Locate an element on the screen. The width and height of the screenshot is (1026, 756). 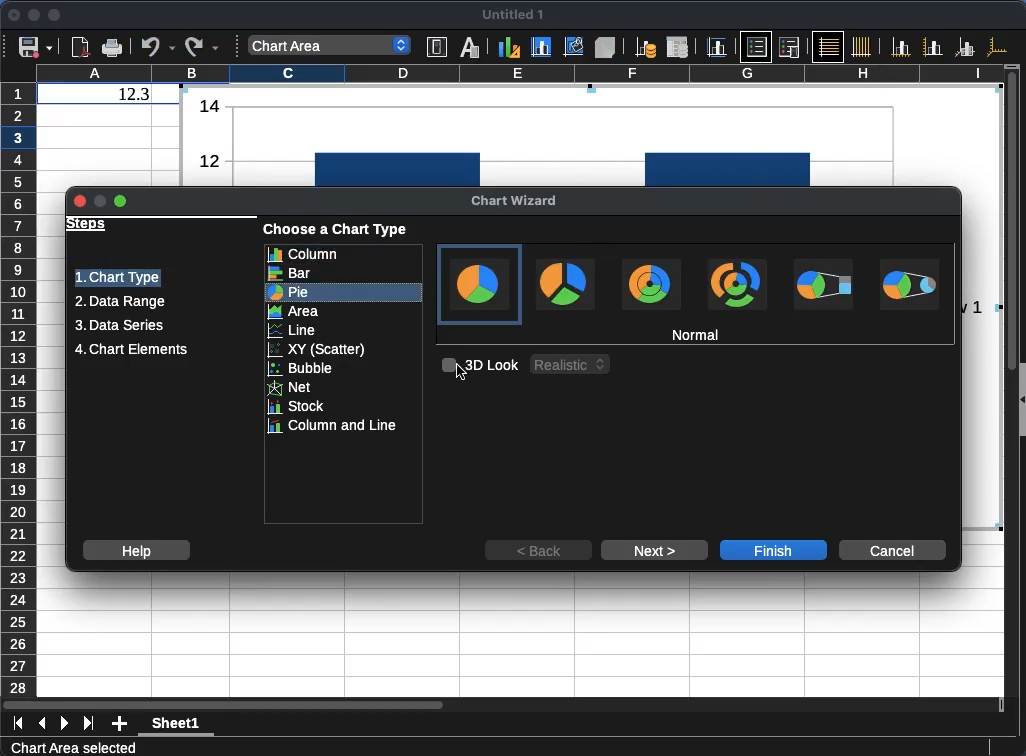
Bar-of-pie chart is located at coordinates (823, 284).